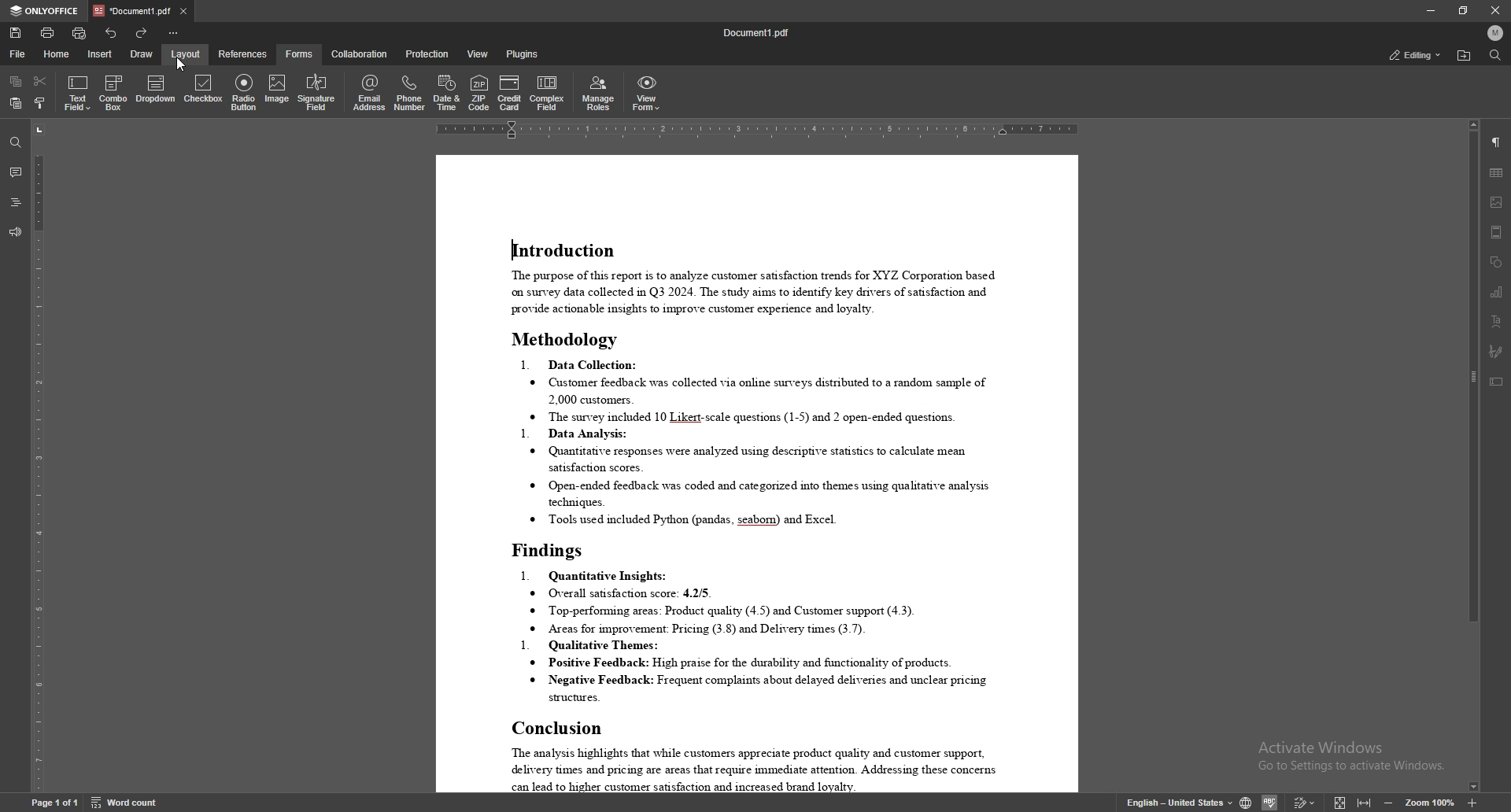 The image size is (1511, 812). What do you see at coordinates (79, 34) in the screenshot?
I see `quick print` at bounding box center [79, 34].